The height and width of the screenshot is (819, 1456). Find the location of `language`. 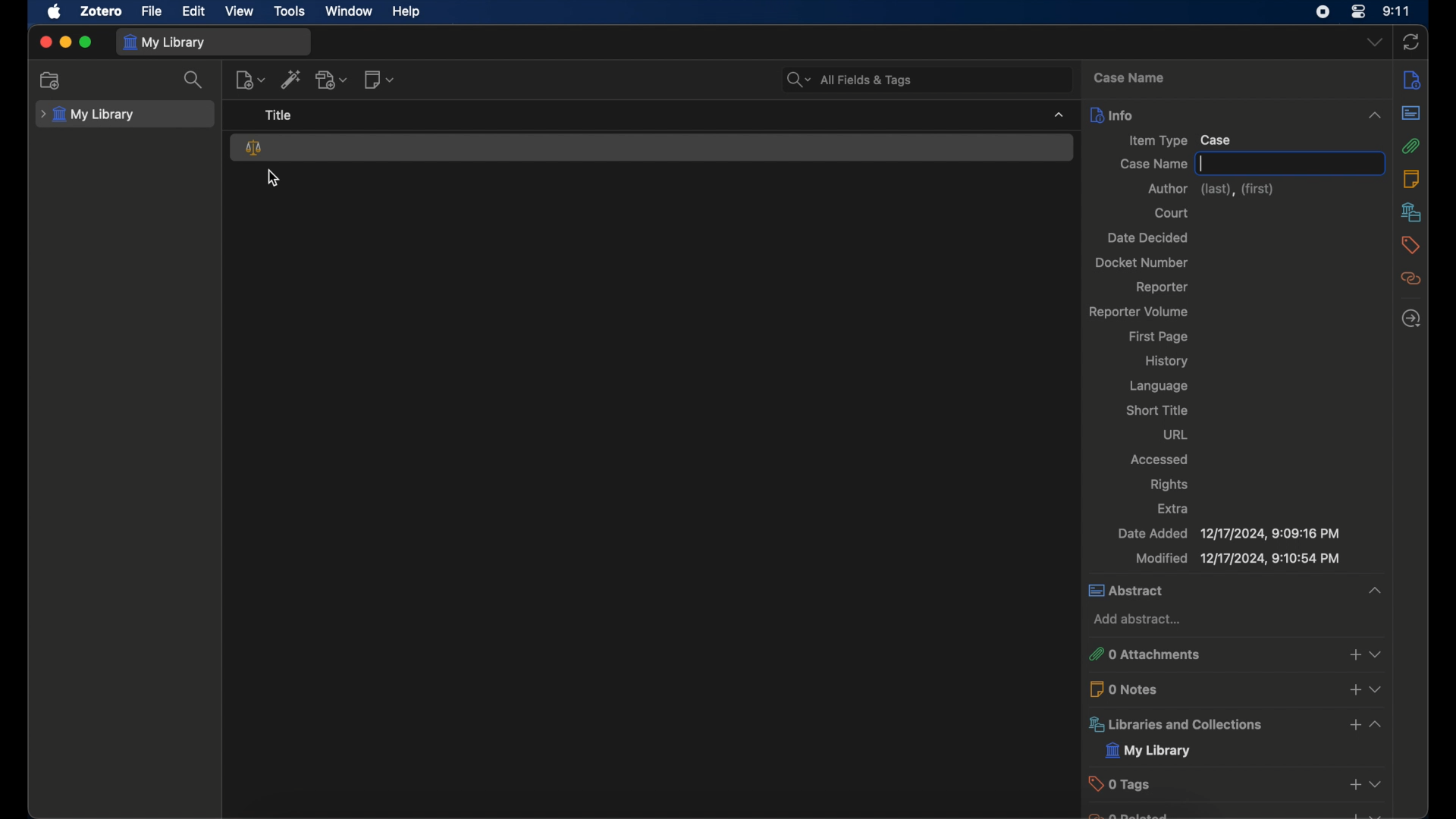

language is located at coordinates (1161, 387).